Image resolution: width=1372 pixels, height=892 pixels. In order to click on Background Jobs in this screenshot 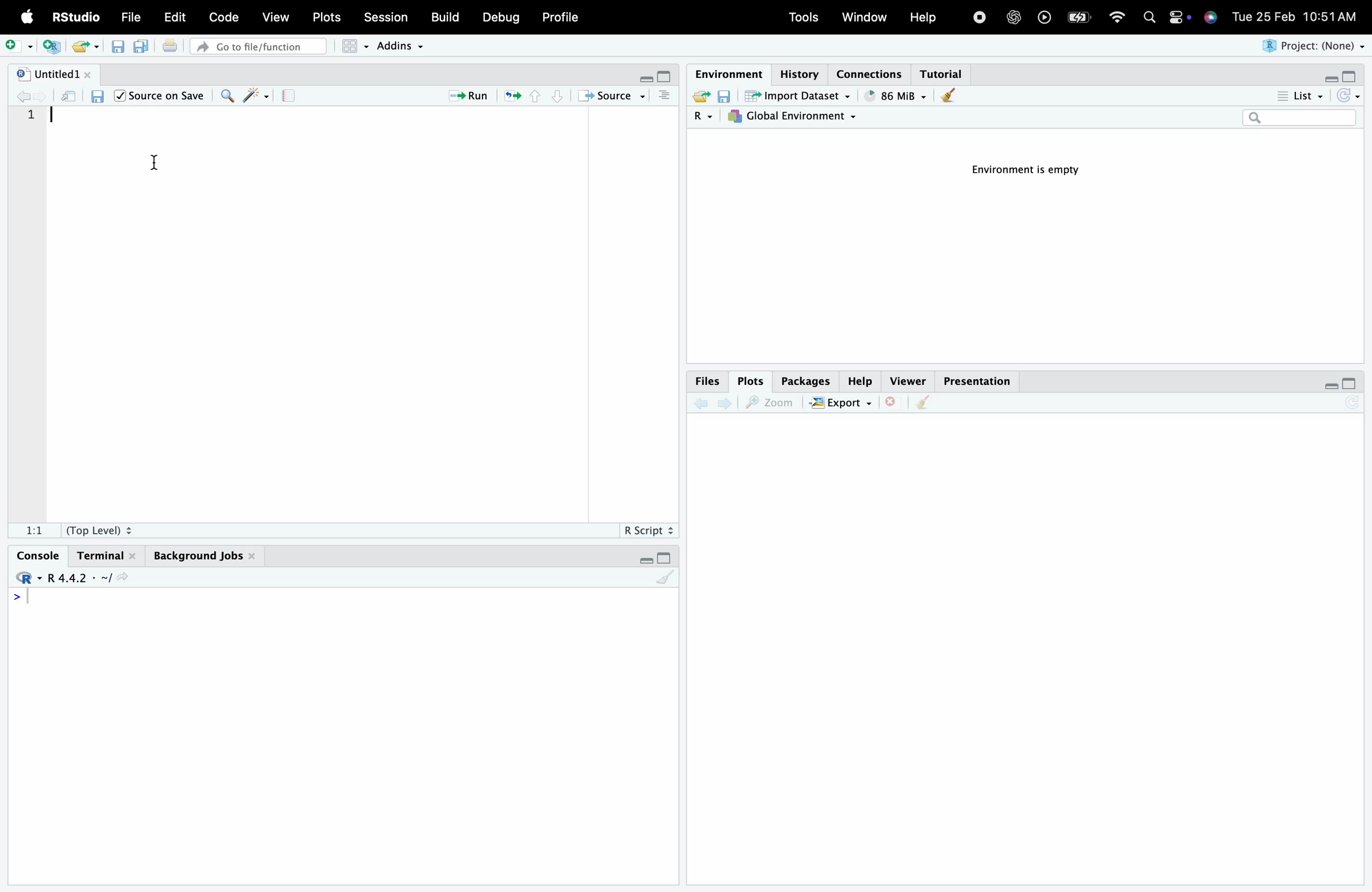, I will do `click(203, 557)`.